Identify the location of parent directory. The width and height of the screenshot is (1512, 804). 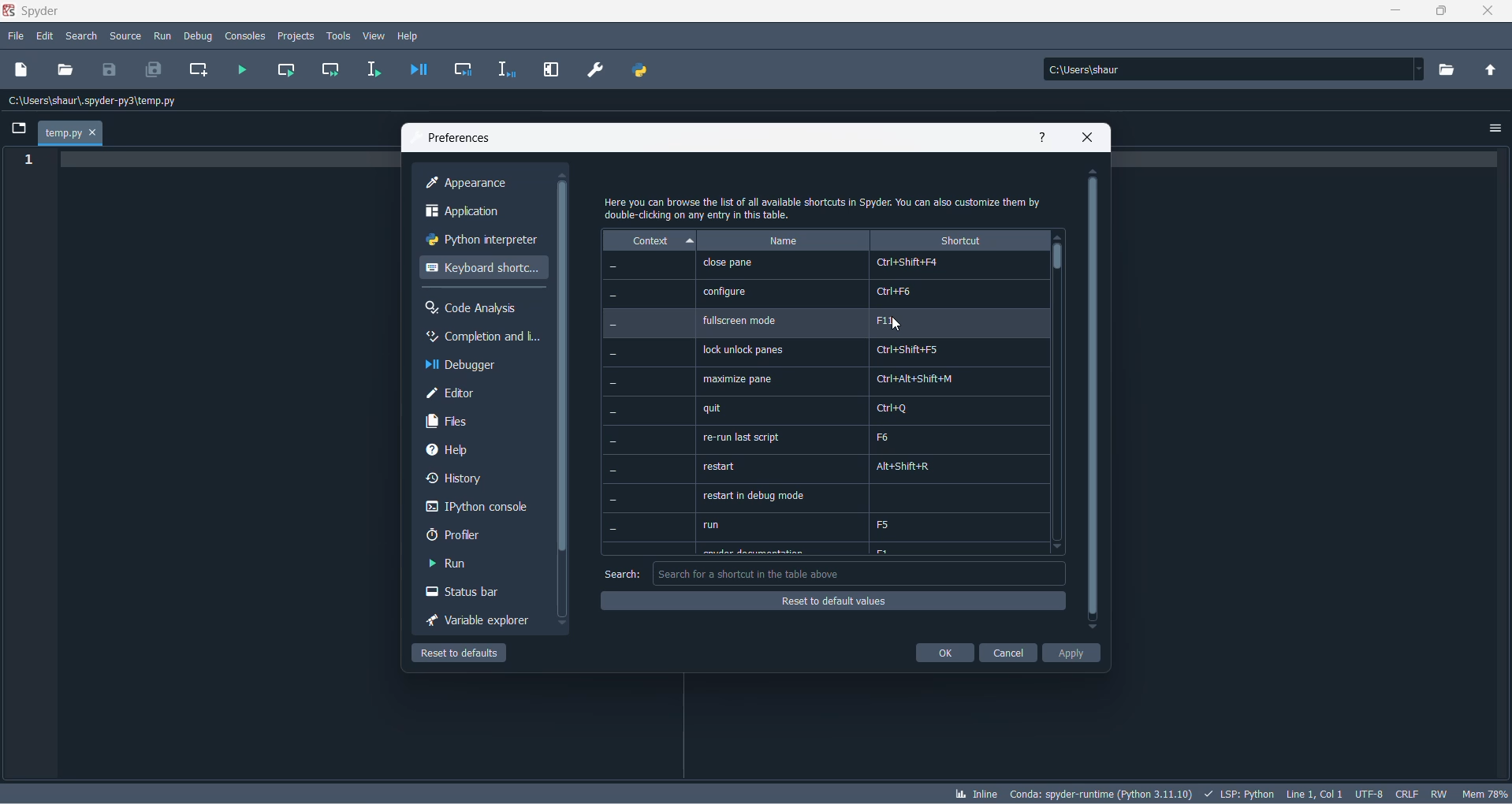
(1495, 72).